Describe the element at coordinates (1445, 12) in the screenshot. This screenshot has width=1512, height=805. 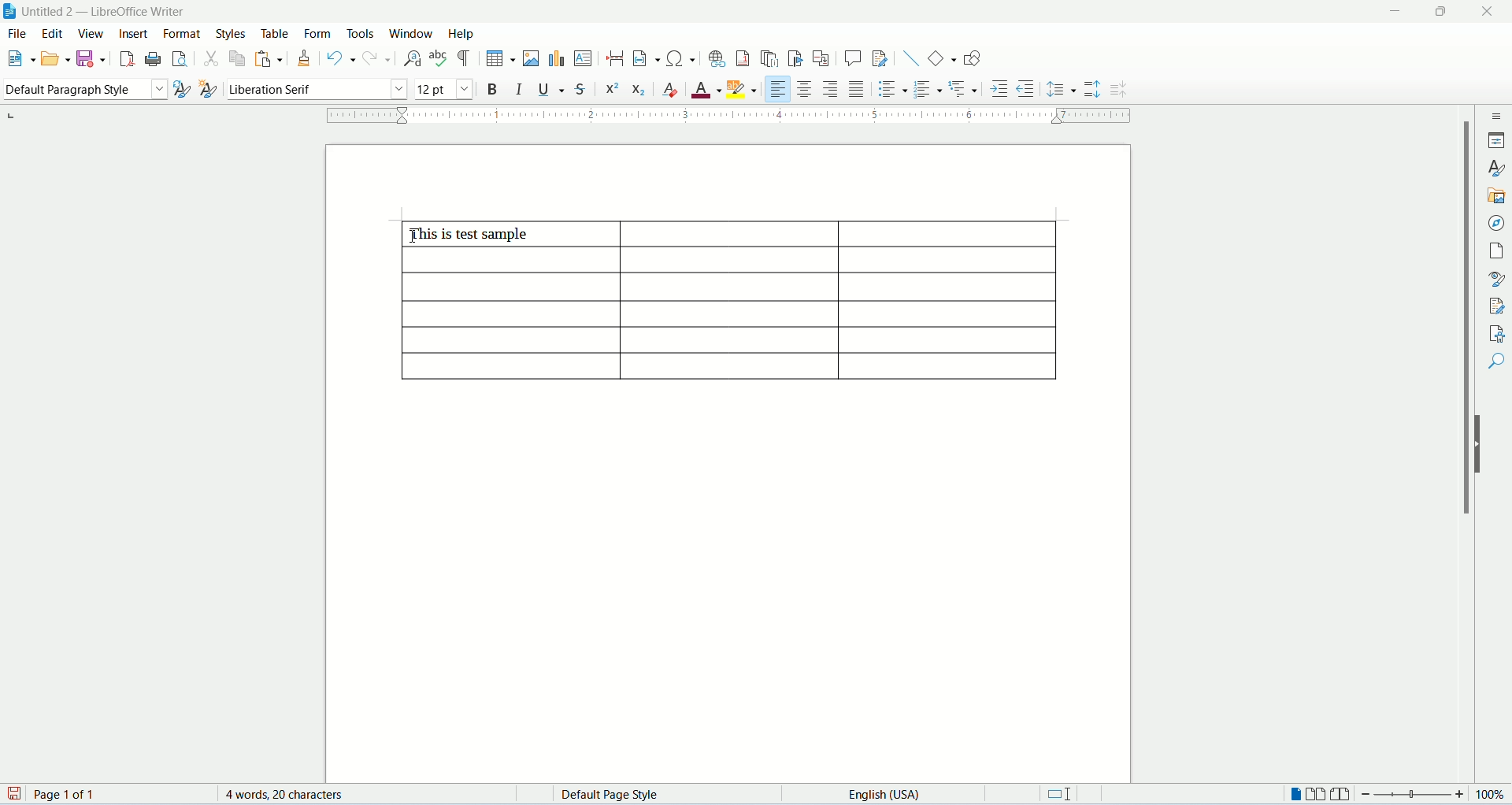
I see `maximize` at that location.